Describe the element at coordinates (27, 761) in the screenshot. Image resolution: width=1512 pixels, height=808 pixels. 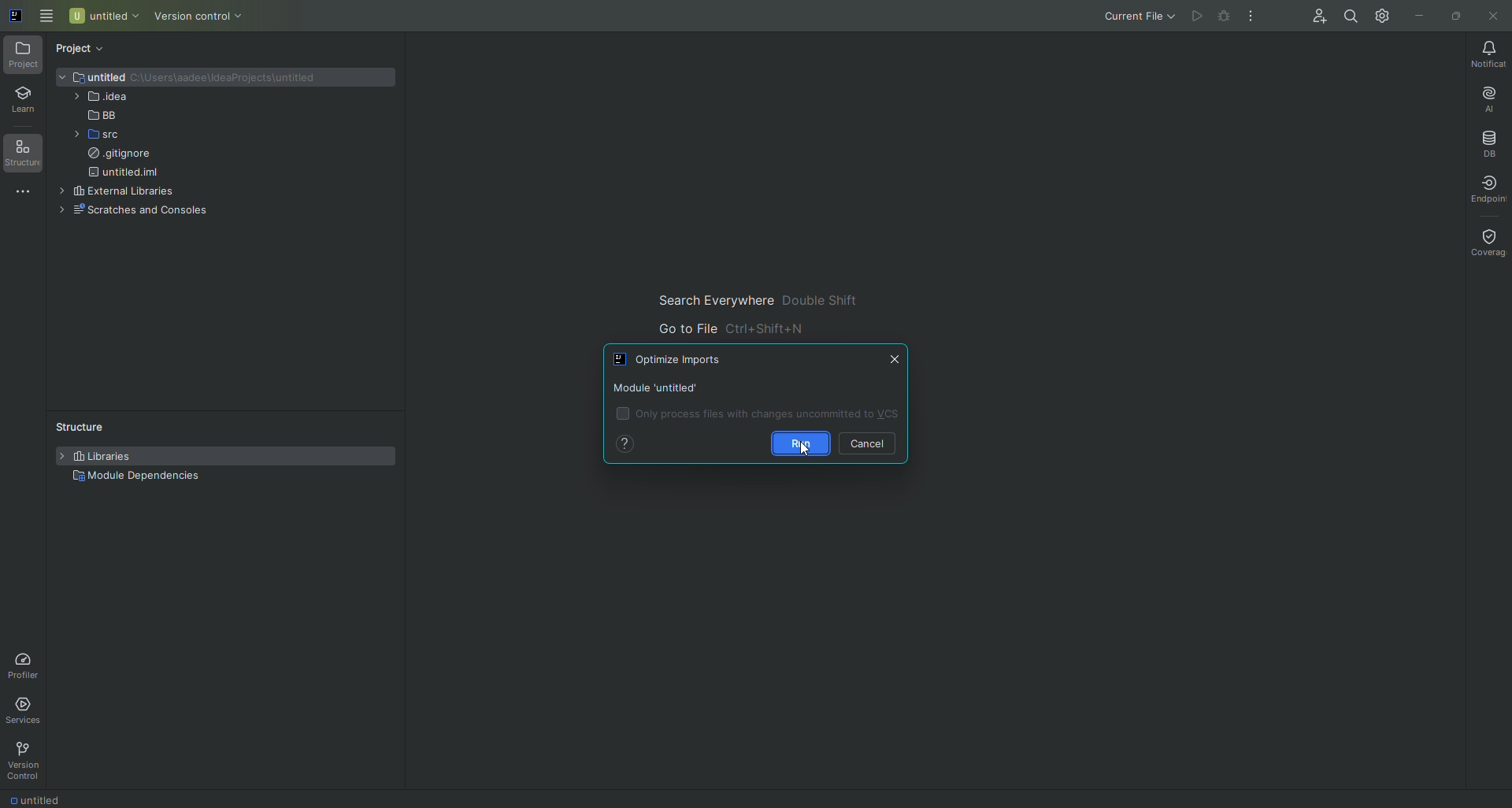
I see `Version Control` at that location.